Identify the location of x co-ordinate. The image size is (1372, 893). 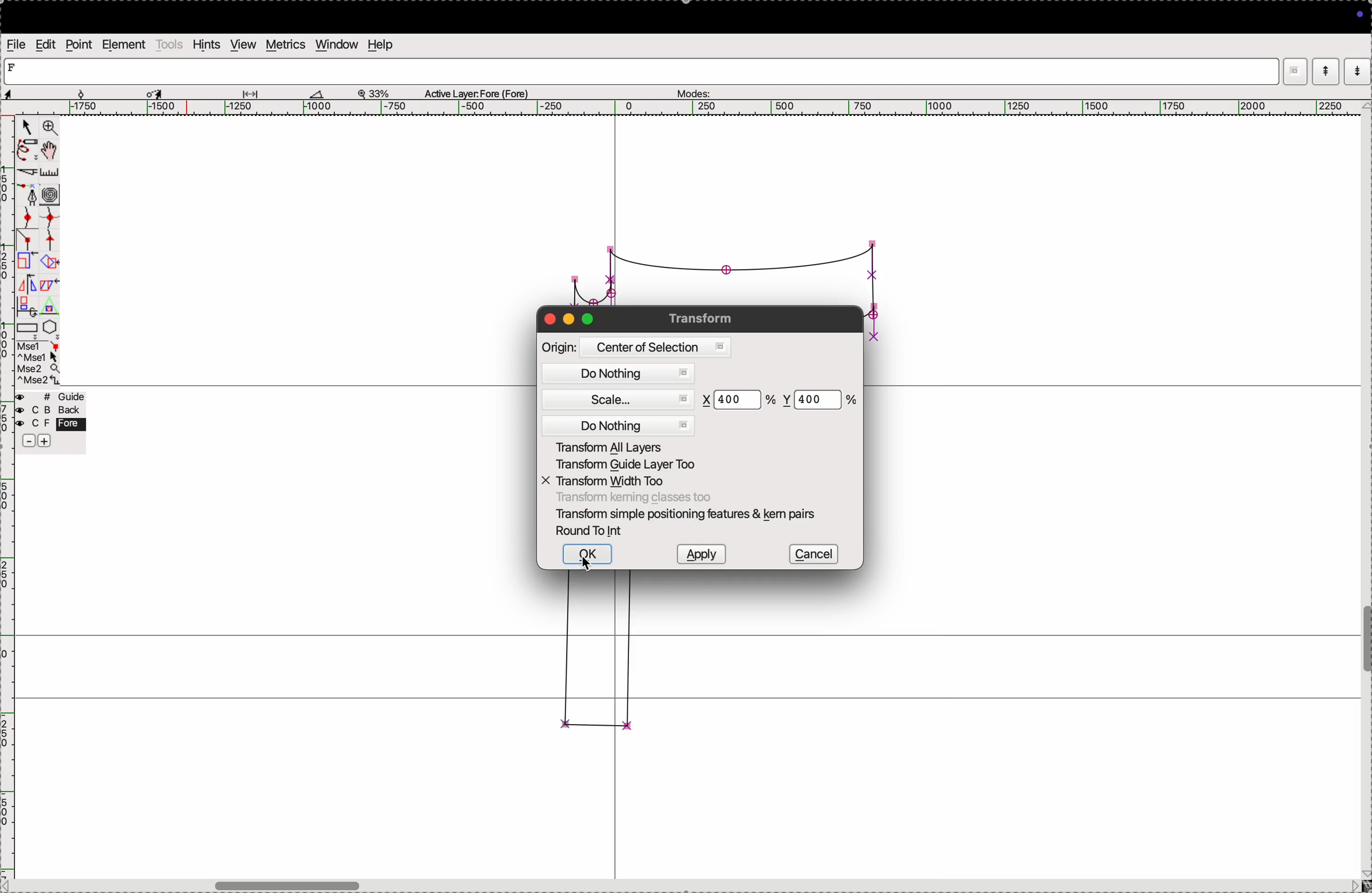
(708, 401).